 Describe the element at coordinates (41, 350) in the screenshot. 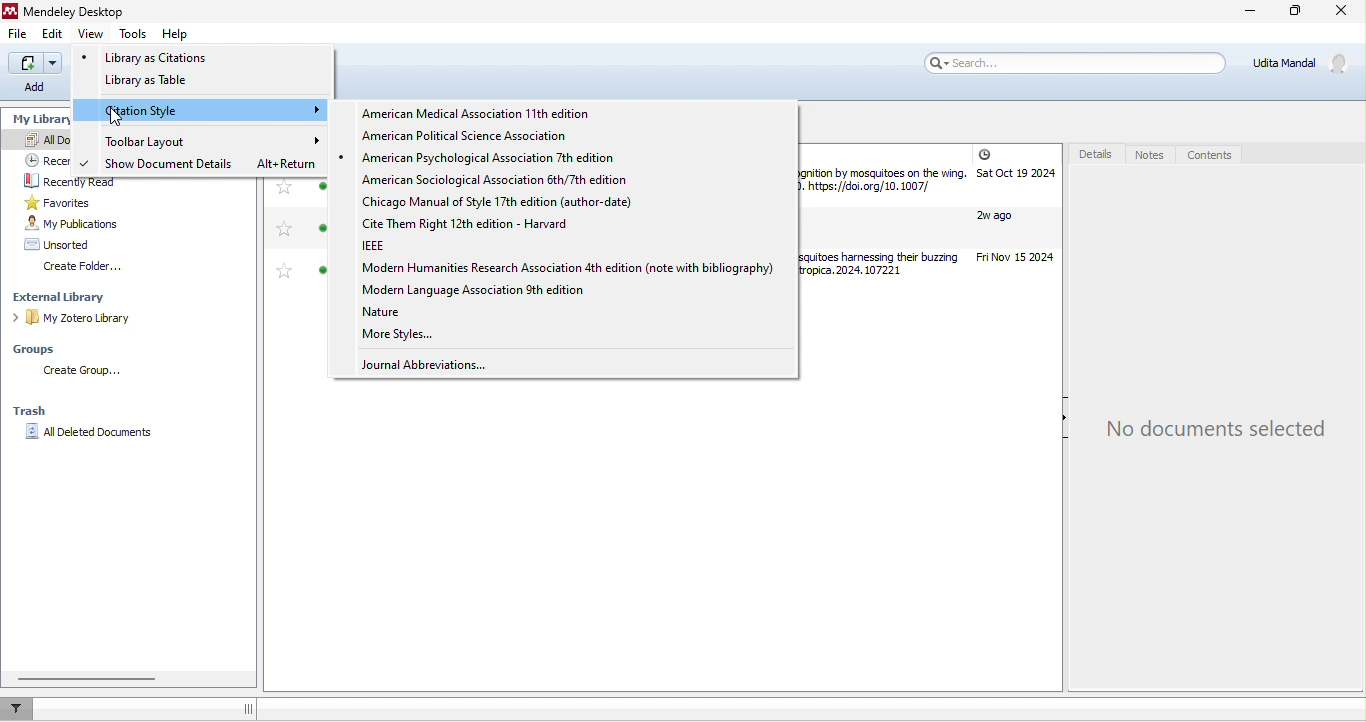

I see `groups` at that location.